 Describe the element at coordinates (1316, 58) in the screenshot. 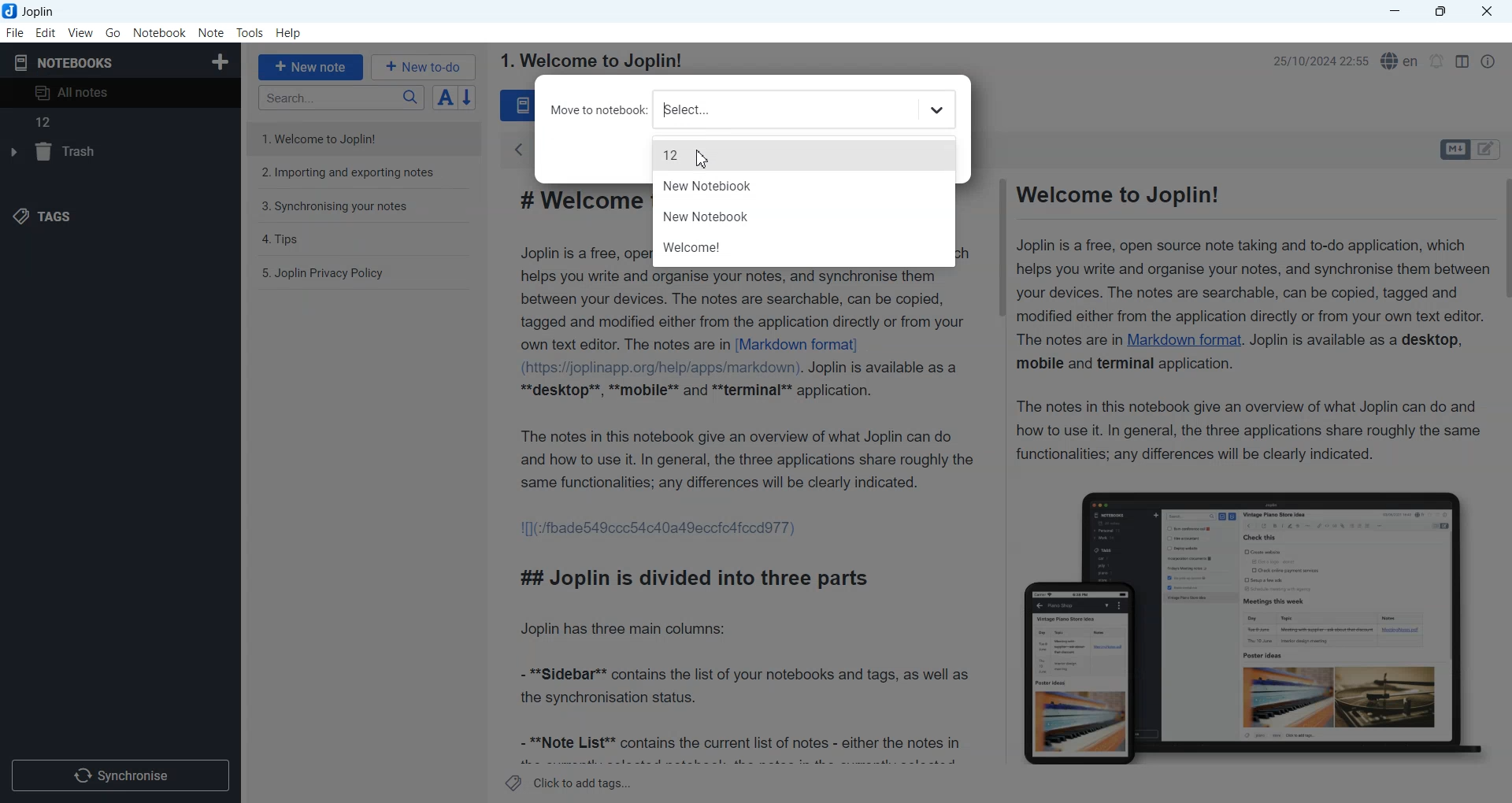

I see `25/10/2024 22:55` at that location.